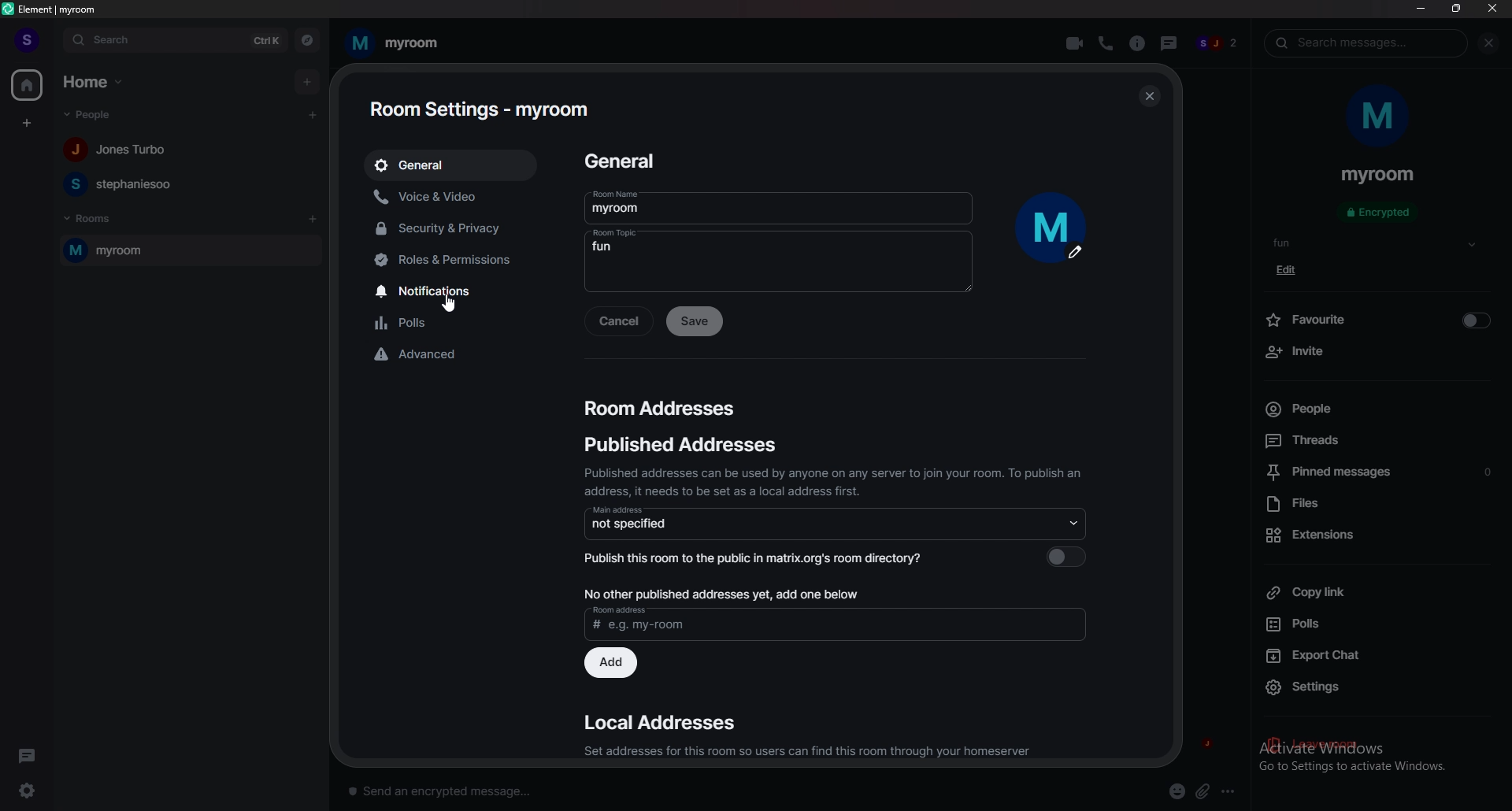 The width and height of the screenshot is (1512, 811). What do you see at coordinates (92, 219) in the screenshot?
I see `rooms` at bounding box center [92, 219].